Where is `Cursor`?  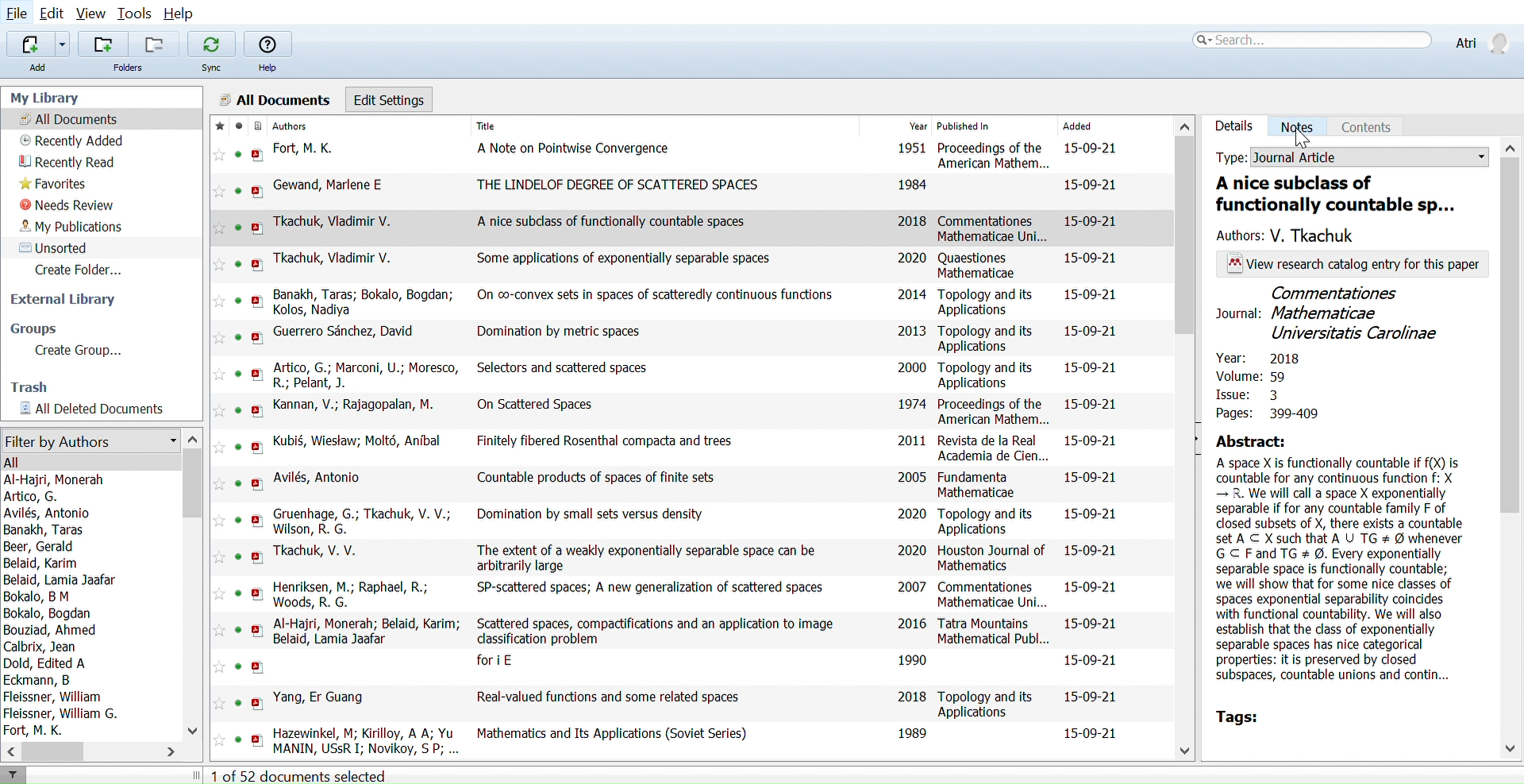
Cursor is located at coordinates (1299, 138).